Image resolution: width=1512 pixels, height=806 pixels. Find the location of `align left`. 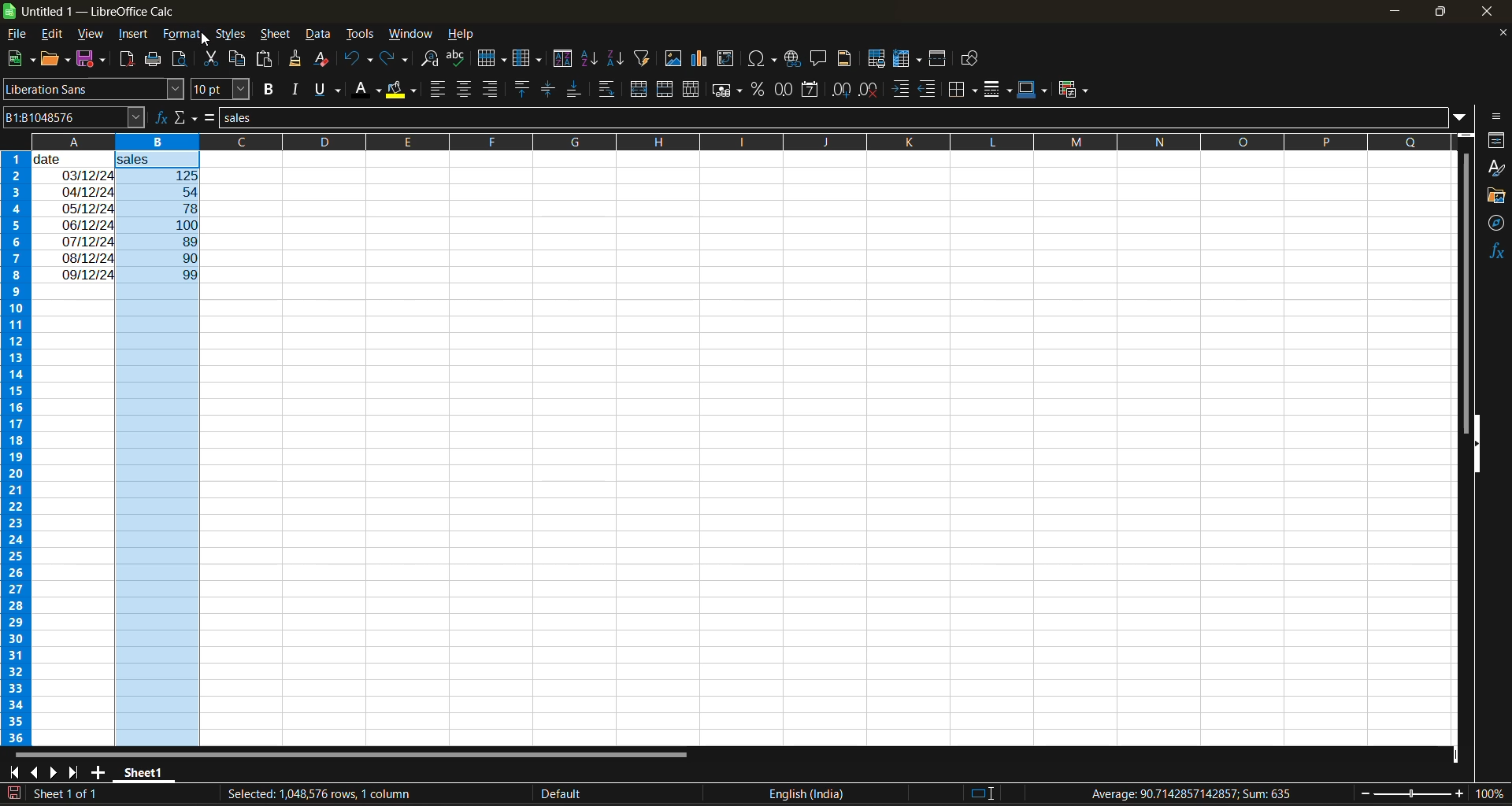

align left is located at coordinates (438, 90).